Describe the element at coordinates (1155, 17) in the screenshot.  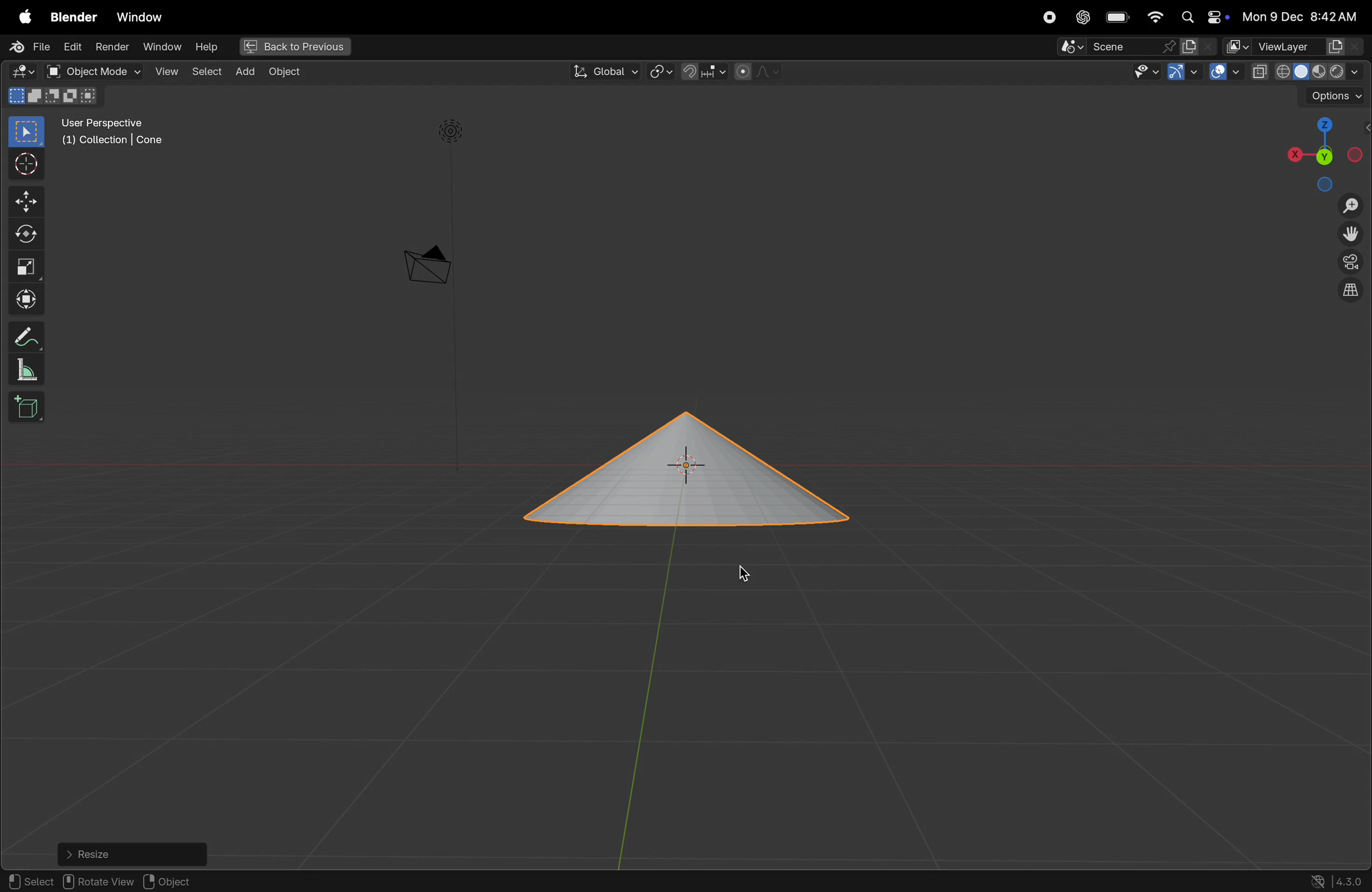
I see `wifi` at that location.